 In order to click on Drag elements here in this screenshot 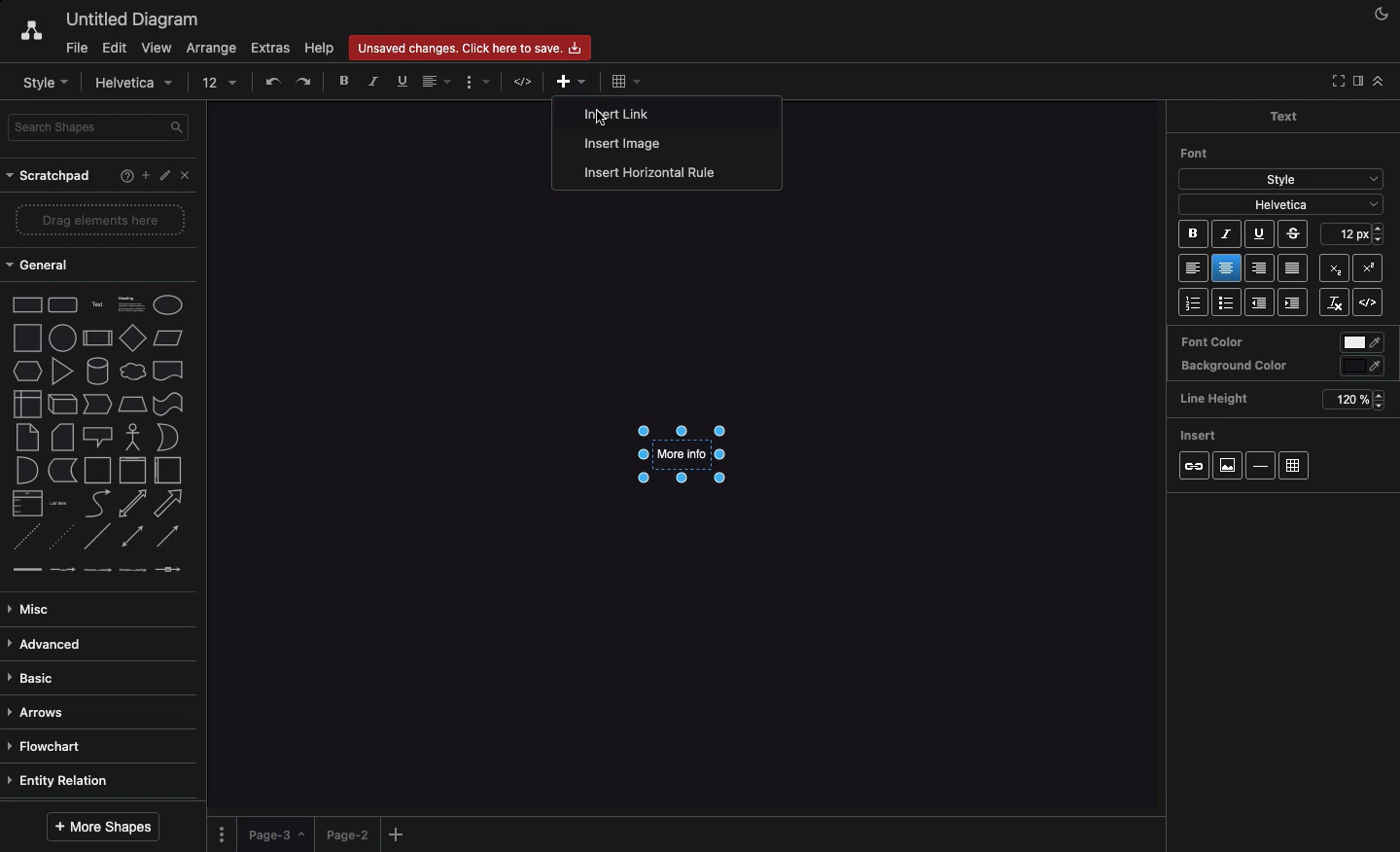, I will do `click(102, 219)`.